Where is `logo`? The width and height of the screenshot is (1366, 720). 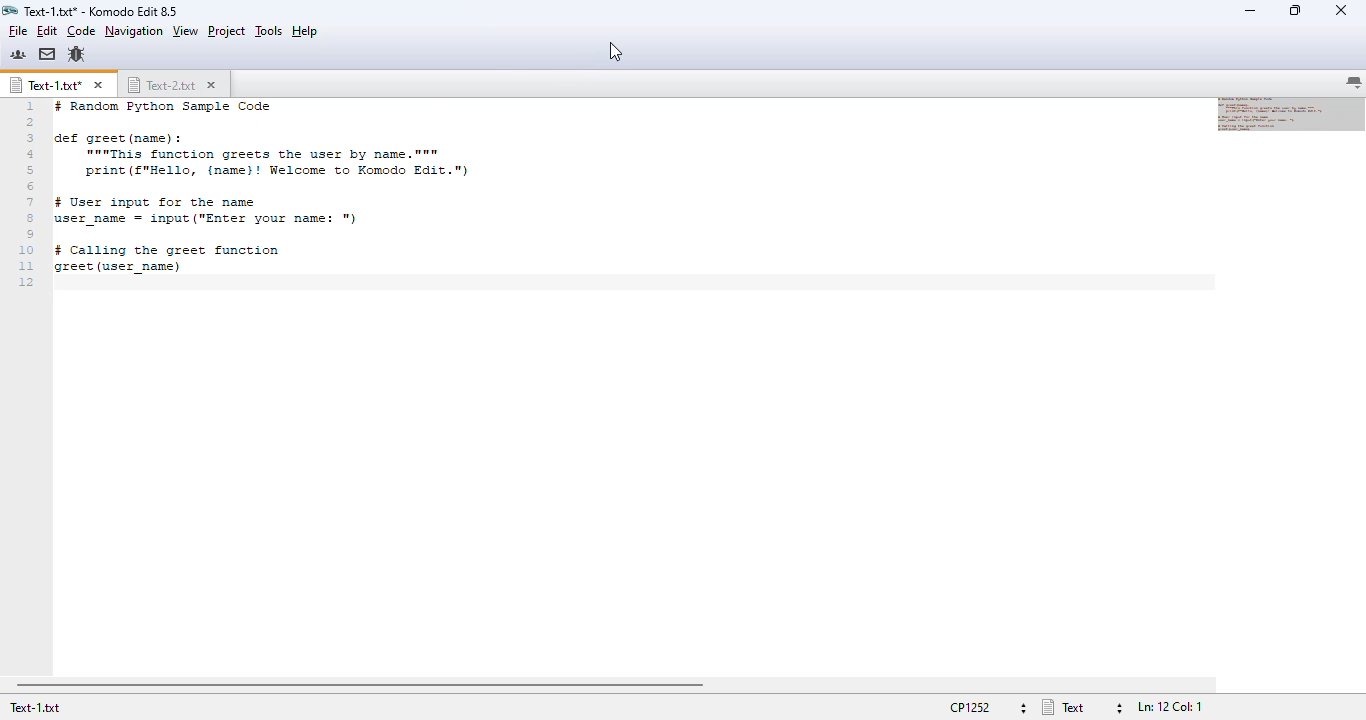
logo is located at coordinates (9, 11).